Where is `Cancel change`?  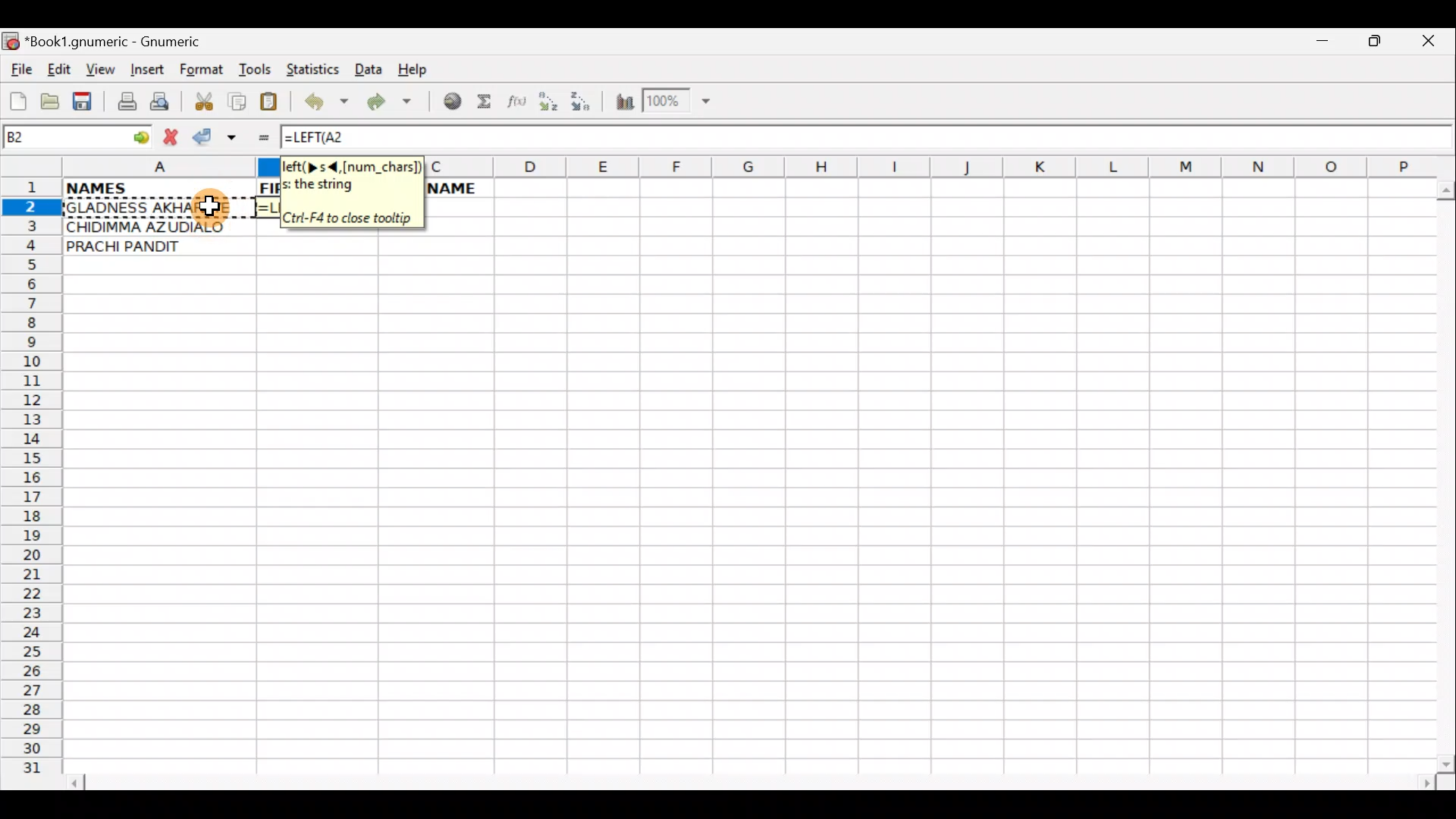
Cancel change is located at coordinates (174, 134).